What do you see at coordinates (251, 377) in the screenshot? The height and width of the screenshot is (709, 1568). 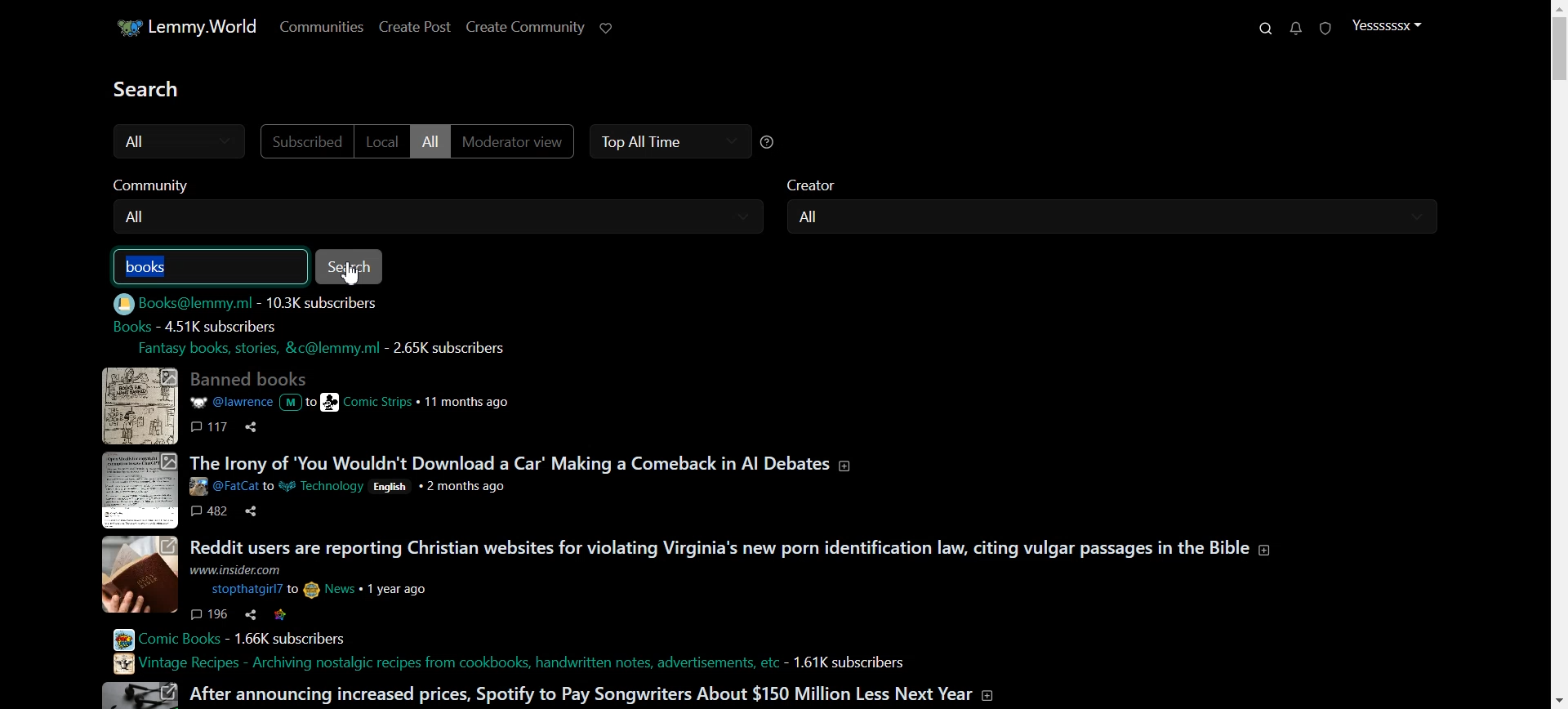 I see `post` at bounding box center [251, 377].